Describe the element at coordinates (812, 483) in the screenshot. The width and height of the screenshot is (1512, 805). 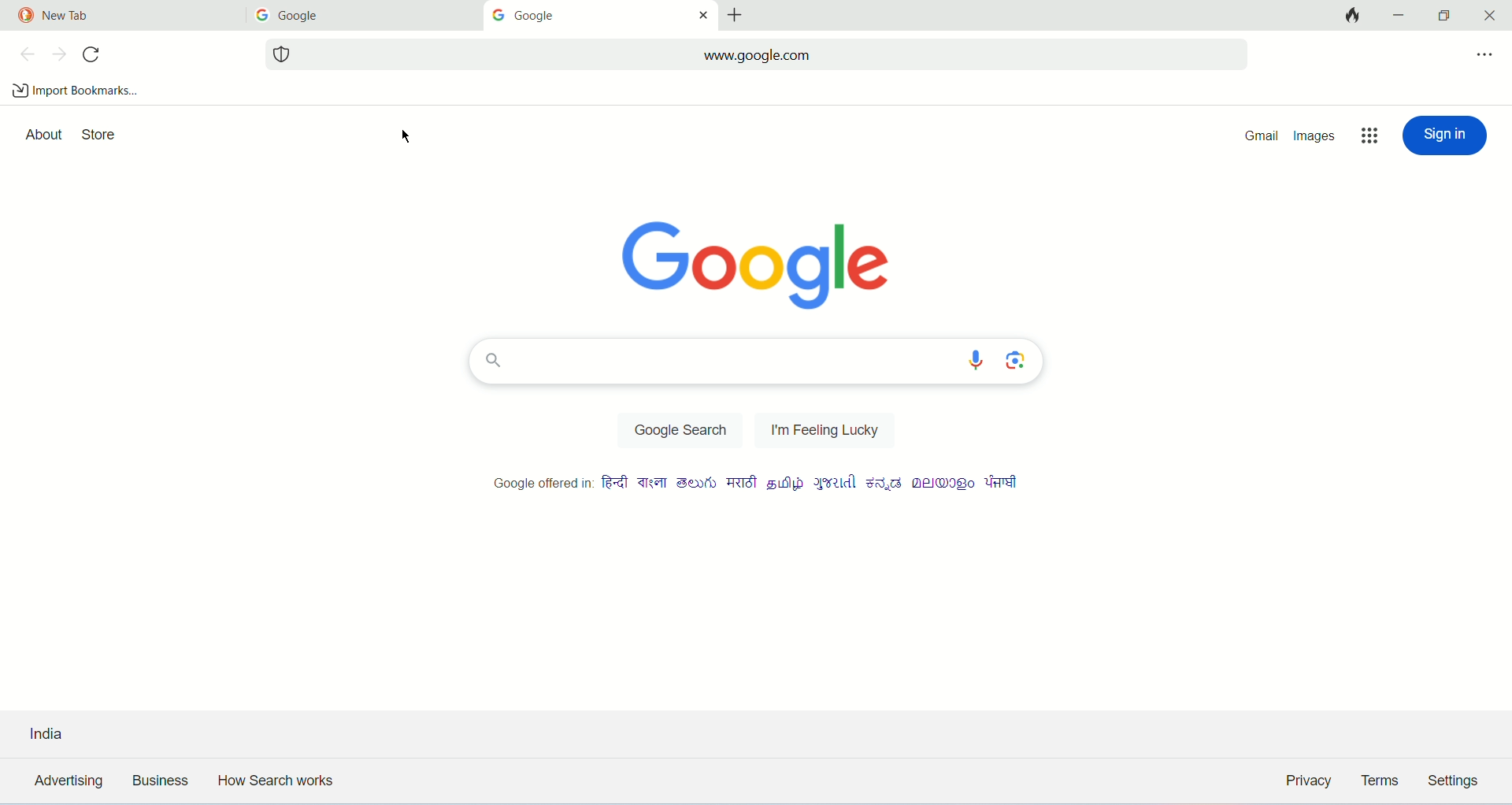
I see `different type of language` at that location.